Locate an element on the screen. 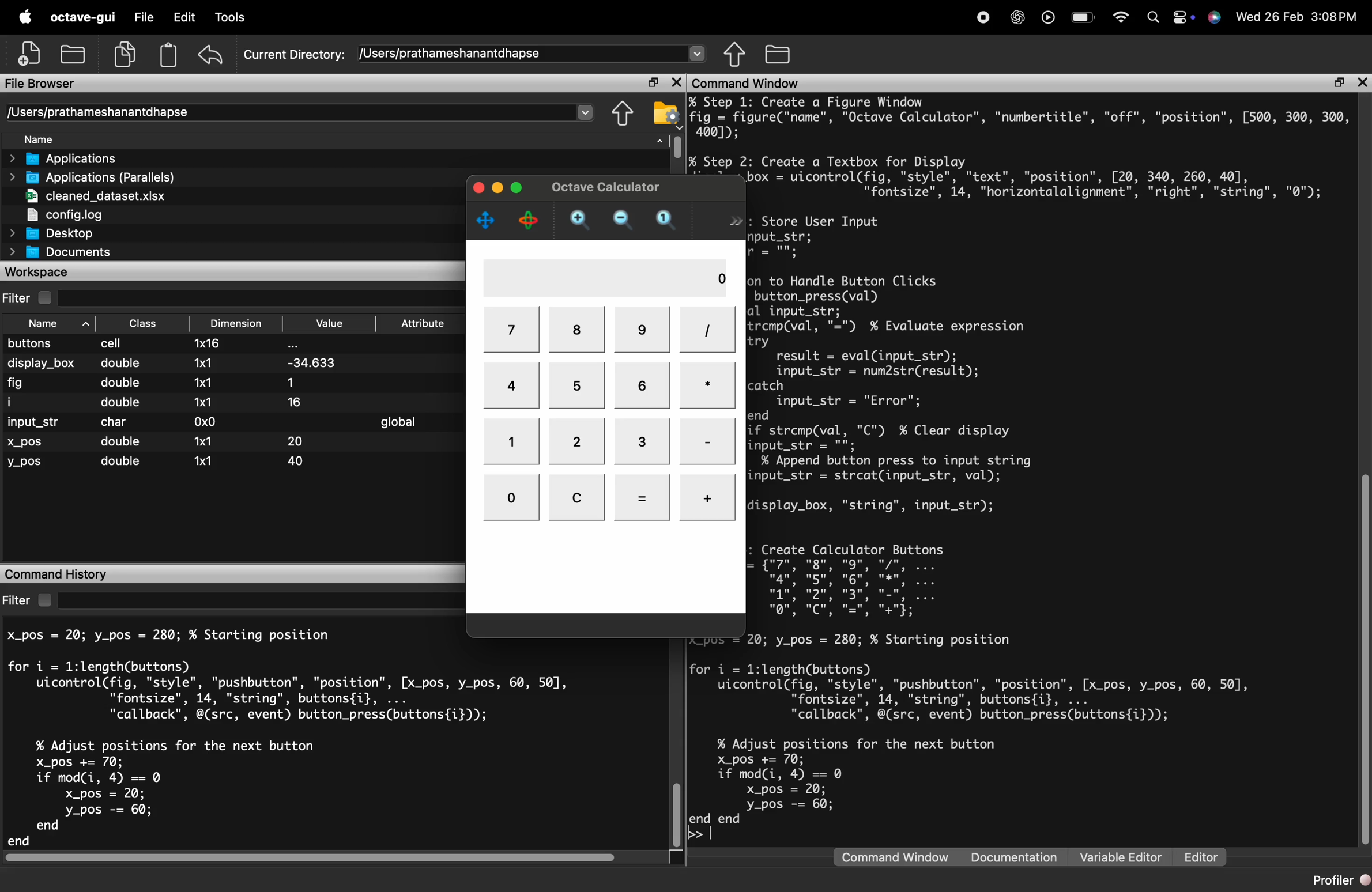 This screenshot has height=892, width=1372. Current Directory: is located at coordinates (293, 55).